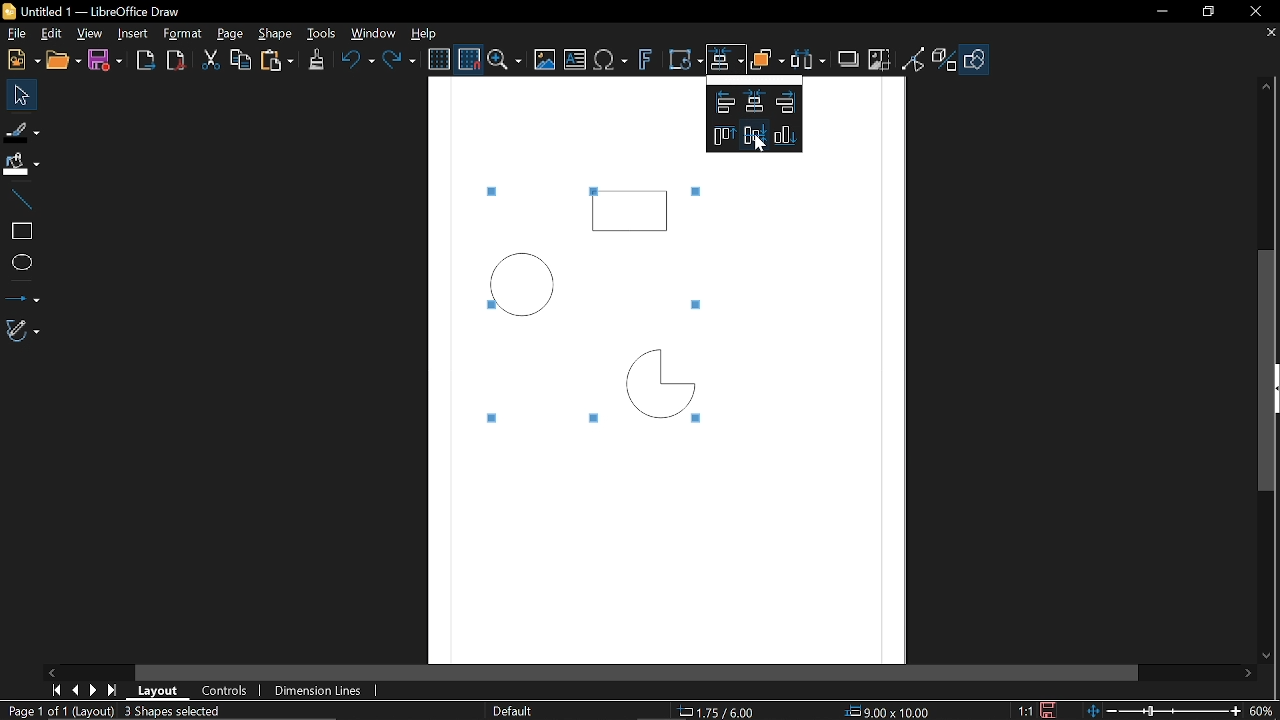  What do you see at coordinates (717, 711) in the screenshot?
I see `1.75/ 6.00 (cursor position) ` at bounding box center [717, 711].